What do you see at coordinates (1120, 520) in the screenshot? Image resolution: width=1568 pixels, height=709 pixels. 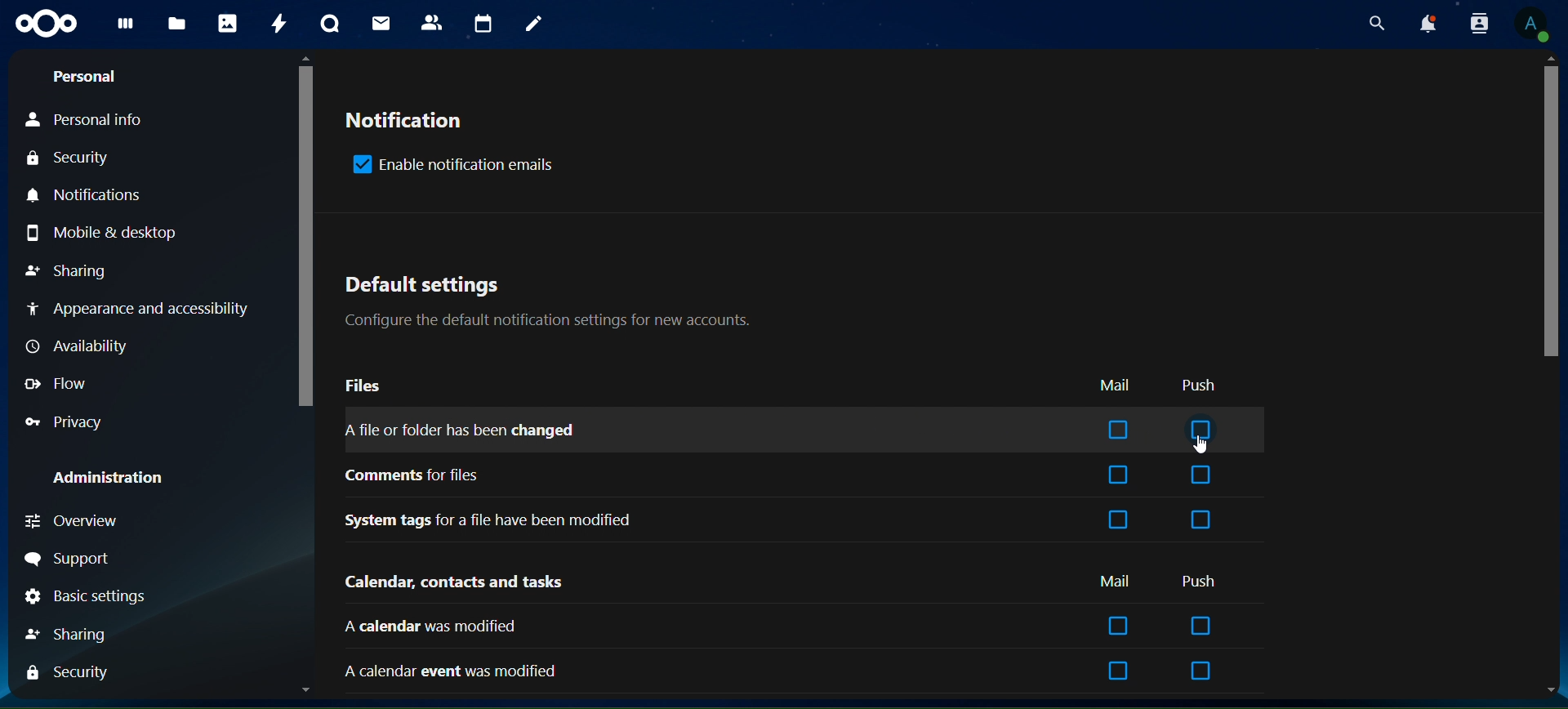 I see `box` at bounding box center [1120, 520].